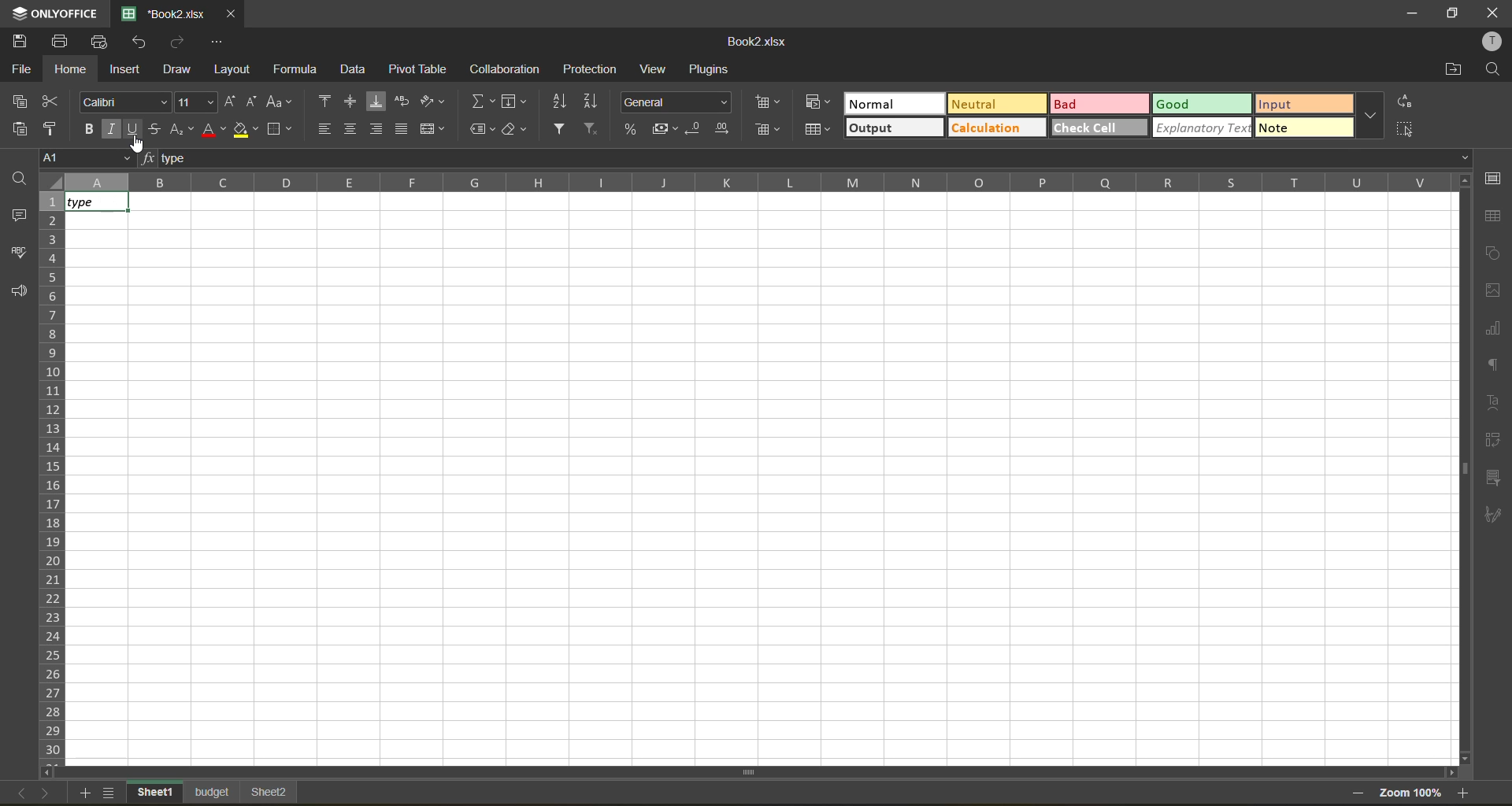  I want to click on open location, so click(1451, 69).